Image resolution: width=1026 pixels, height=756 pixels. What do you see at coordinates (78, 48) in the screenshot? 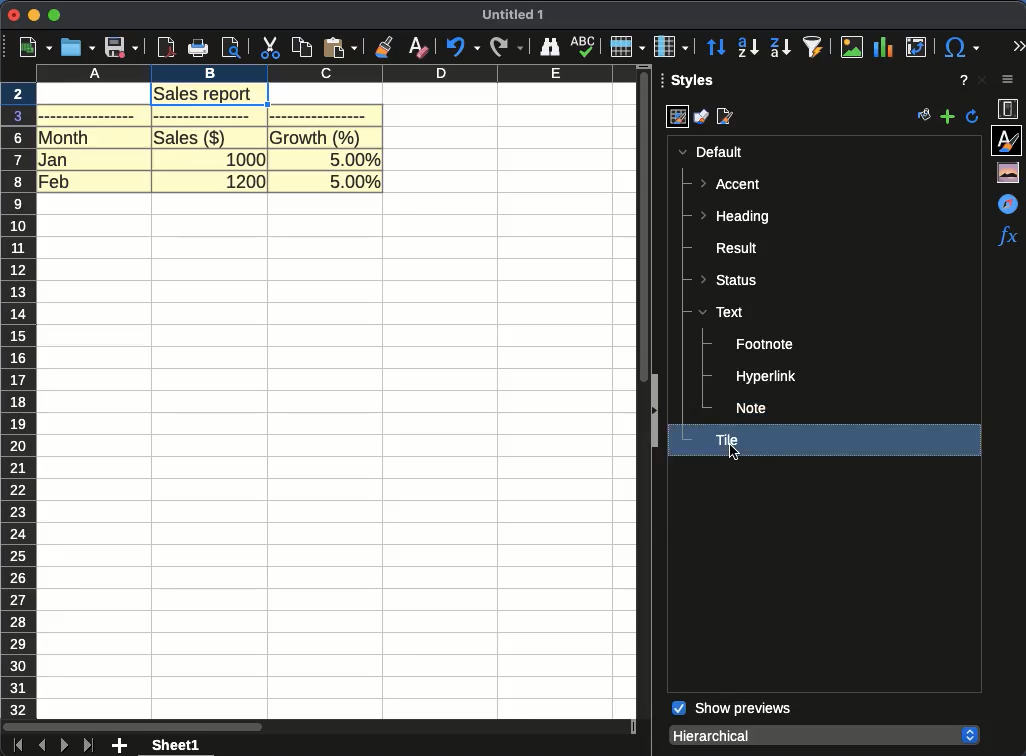
I see `open` at bounding box center [78, 48].